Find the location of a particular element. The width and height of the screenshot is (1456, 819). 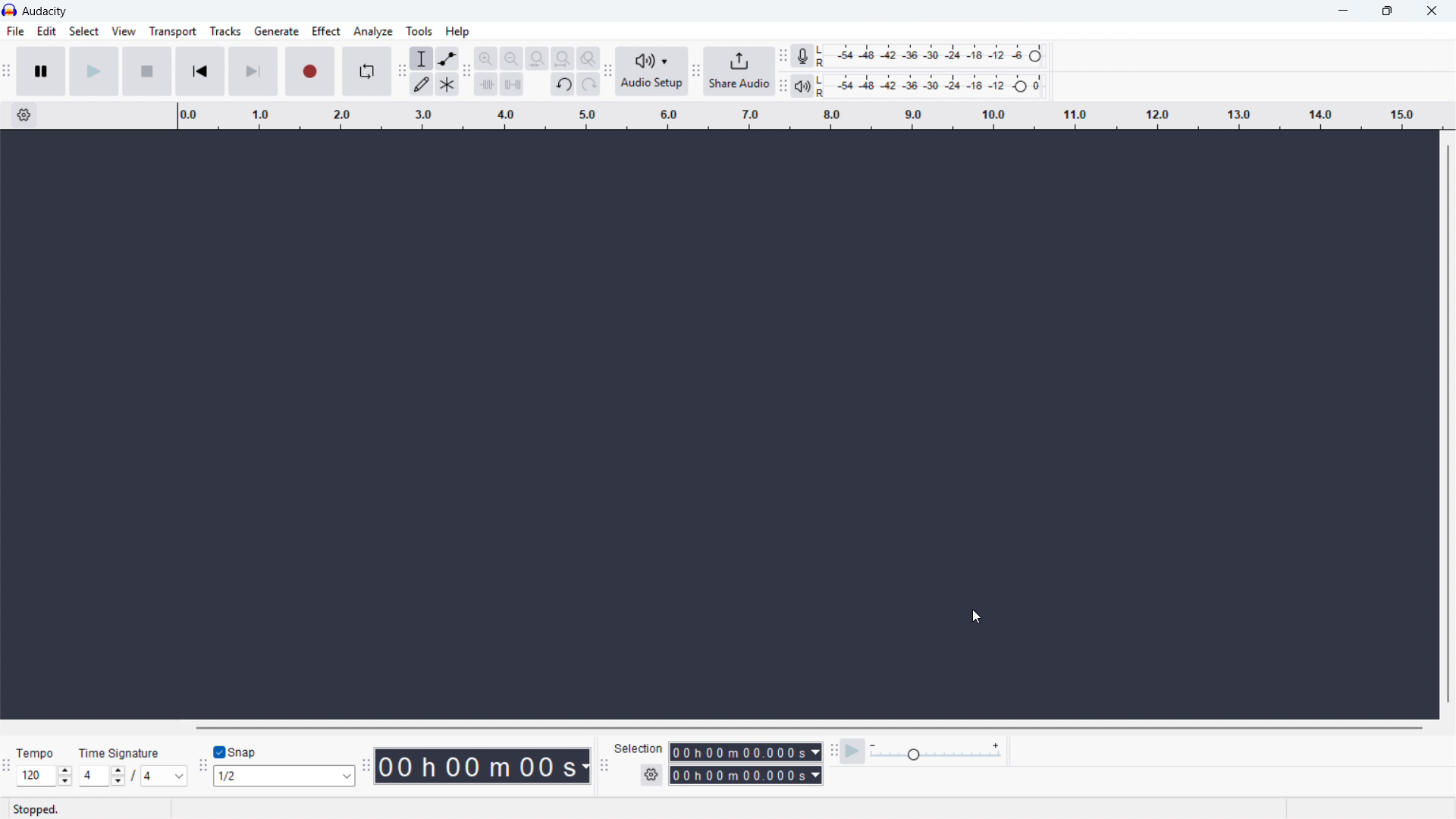

generate is located at coordinates (276, 31).